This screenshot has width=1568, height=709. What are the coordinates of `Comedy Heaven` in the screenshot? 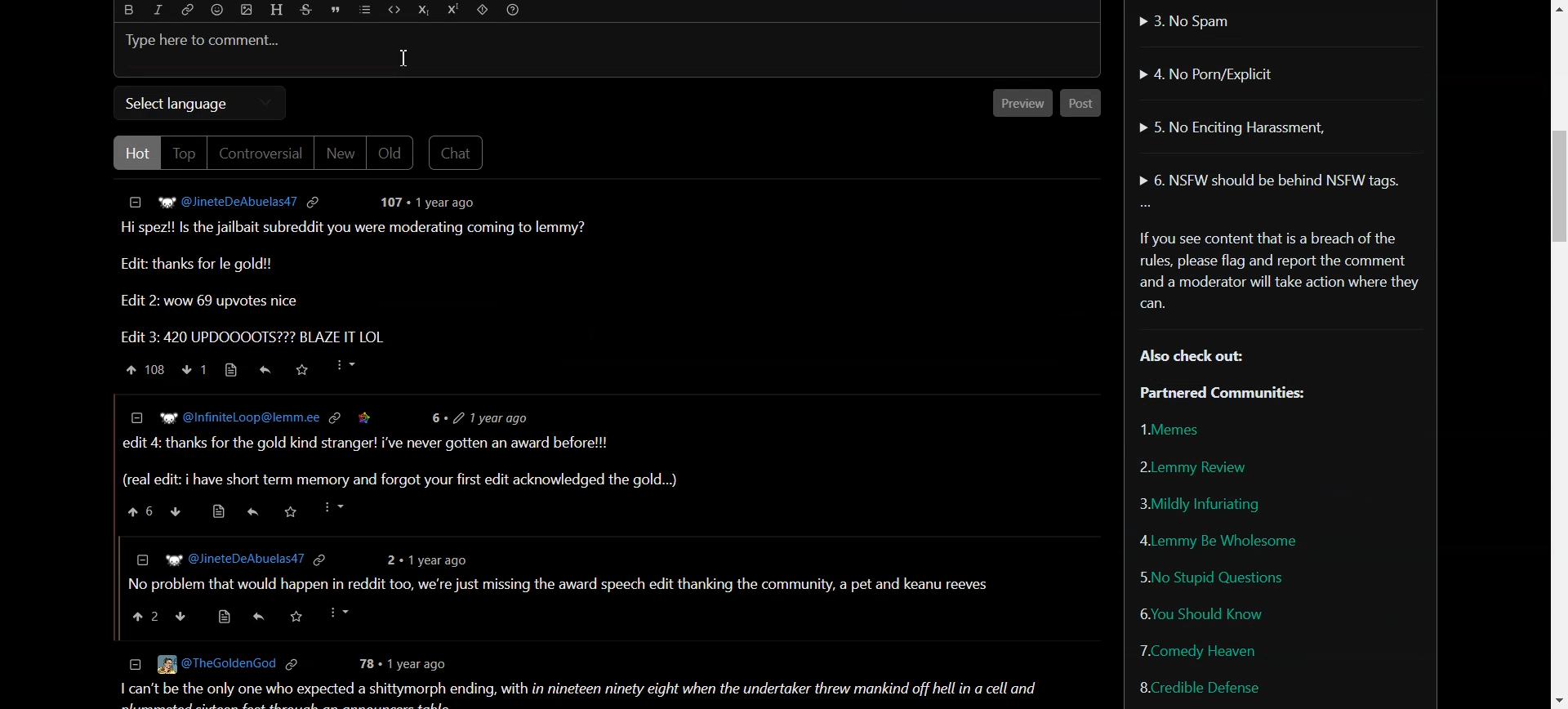 It's located at (1197, 650).